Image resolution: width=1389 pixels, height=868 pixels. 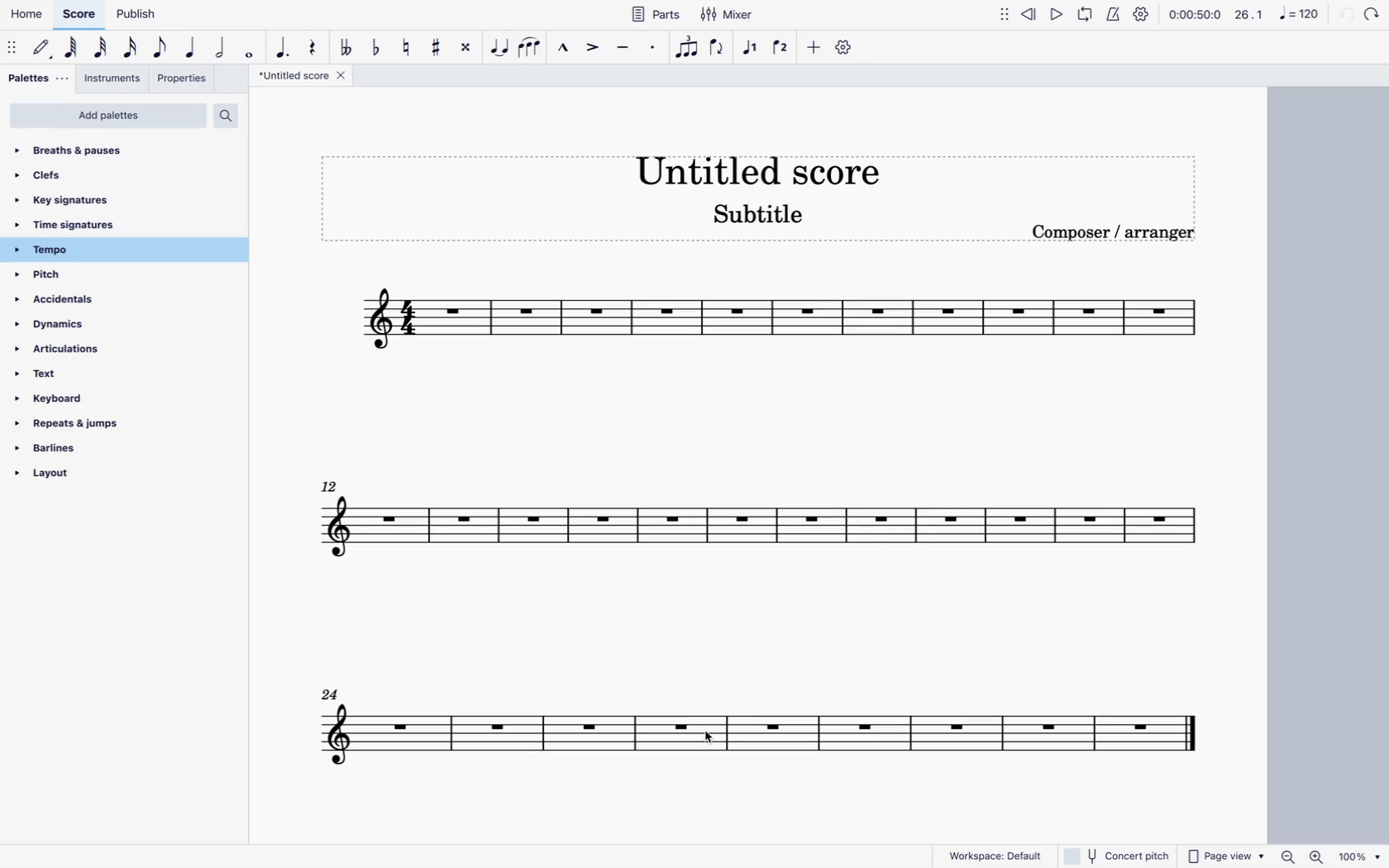 What do you see at coordinates (187, 81) in the screenshot?
I see `properties` at bounding box center [187, 81].